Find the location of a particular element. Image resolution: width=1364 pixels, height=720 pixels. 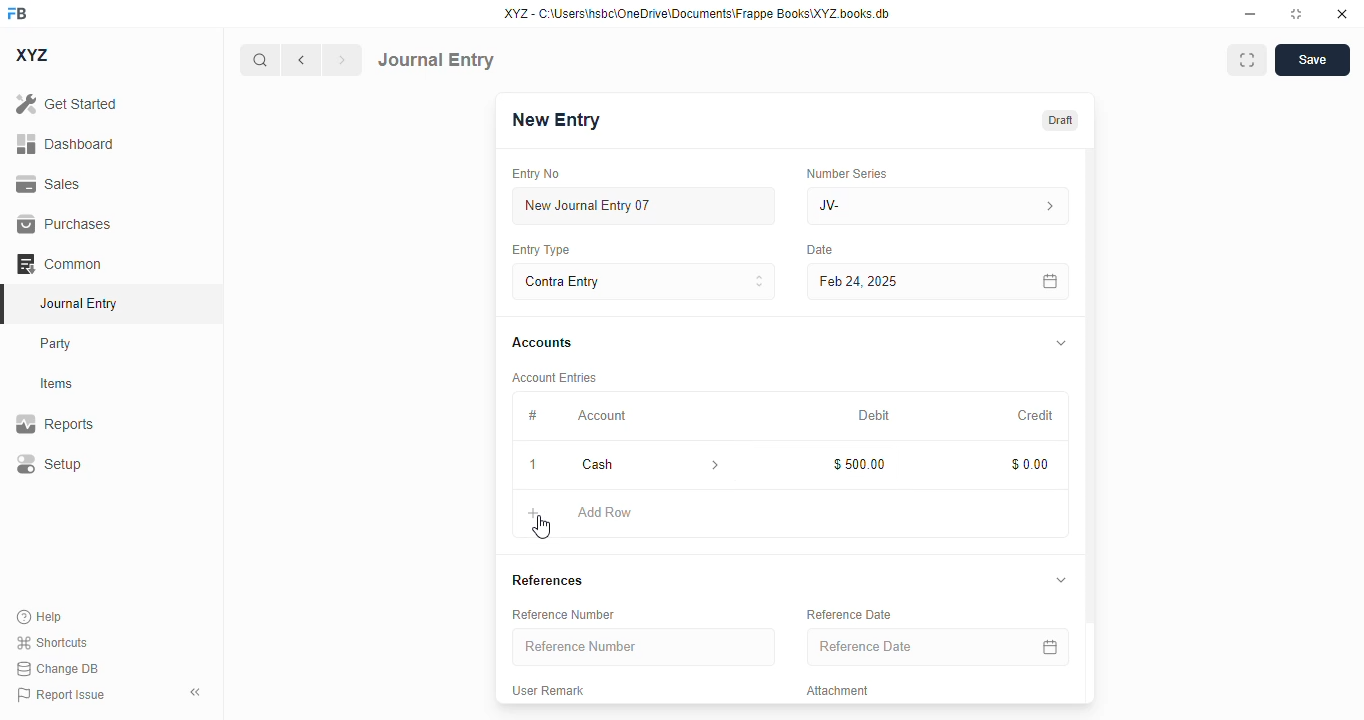

dashboard is located at coordinates (65, 143).